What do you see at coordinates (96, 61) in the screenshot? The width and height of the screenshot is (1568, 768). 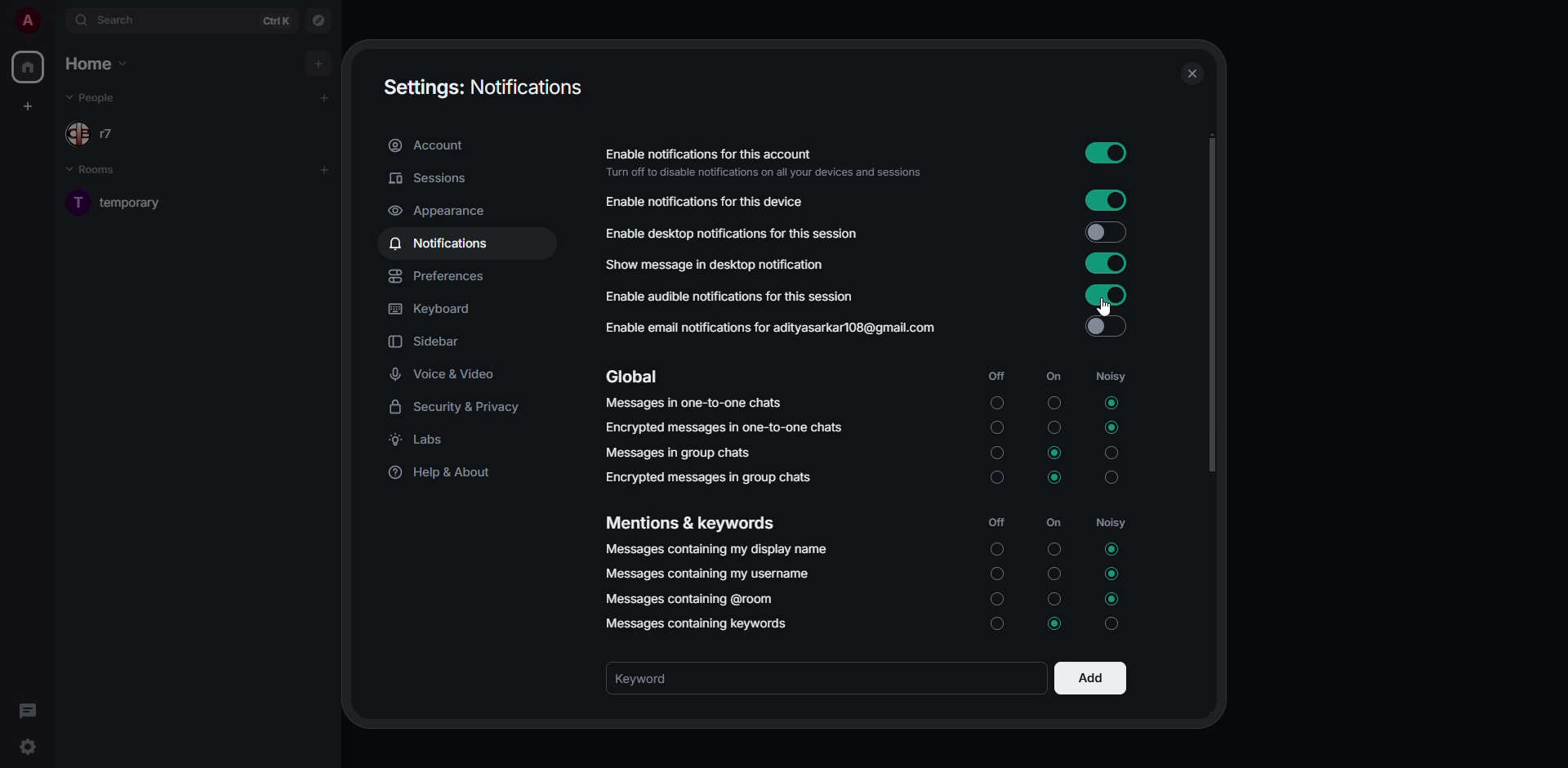 I see `home` at bounding box center [96, 61].